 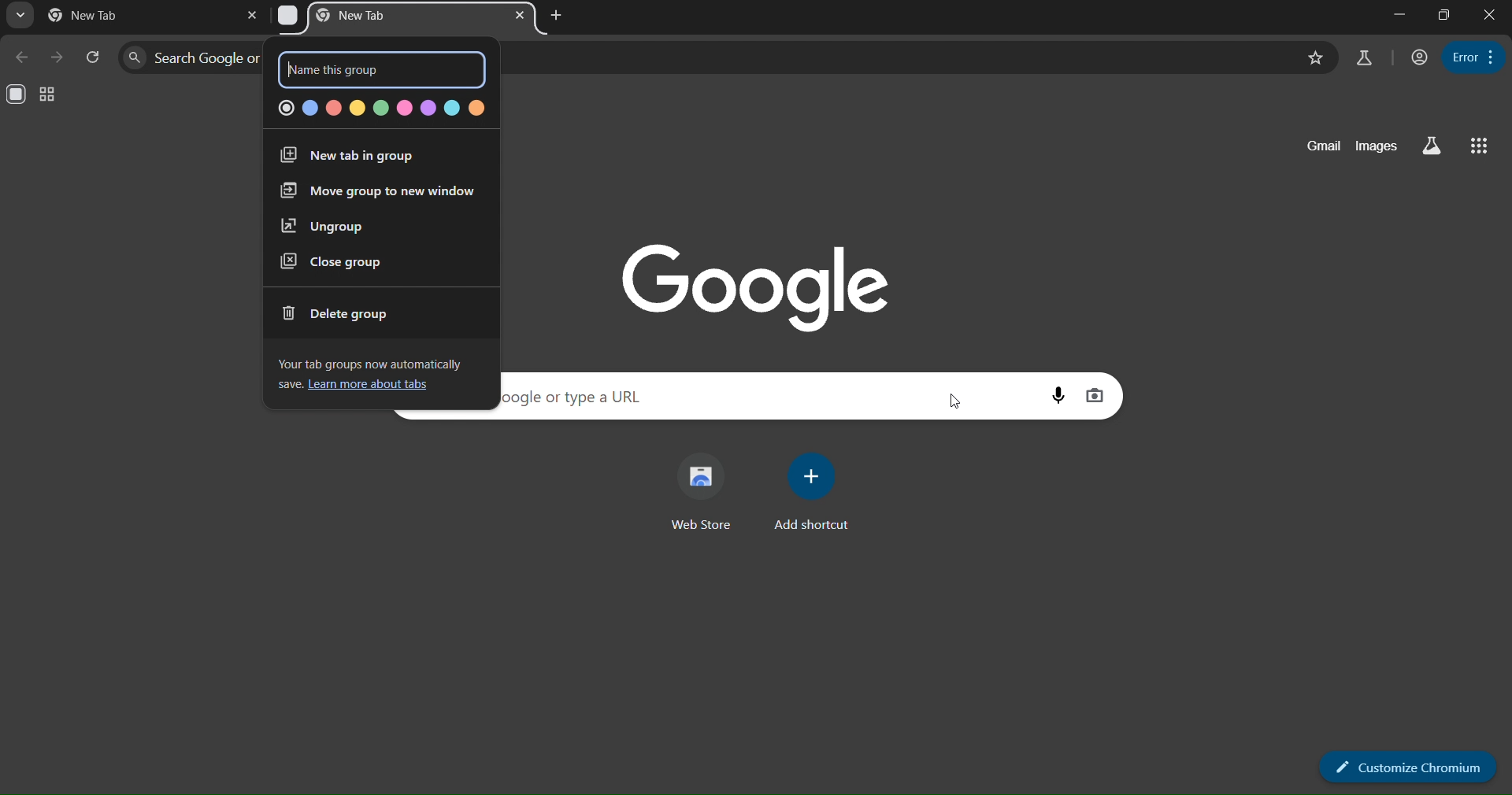 What do you see at coordinates (1374, 146) in the screenshot?
I see `images` at bounding box center [1374, 146].